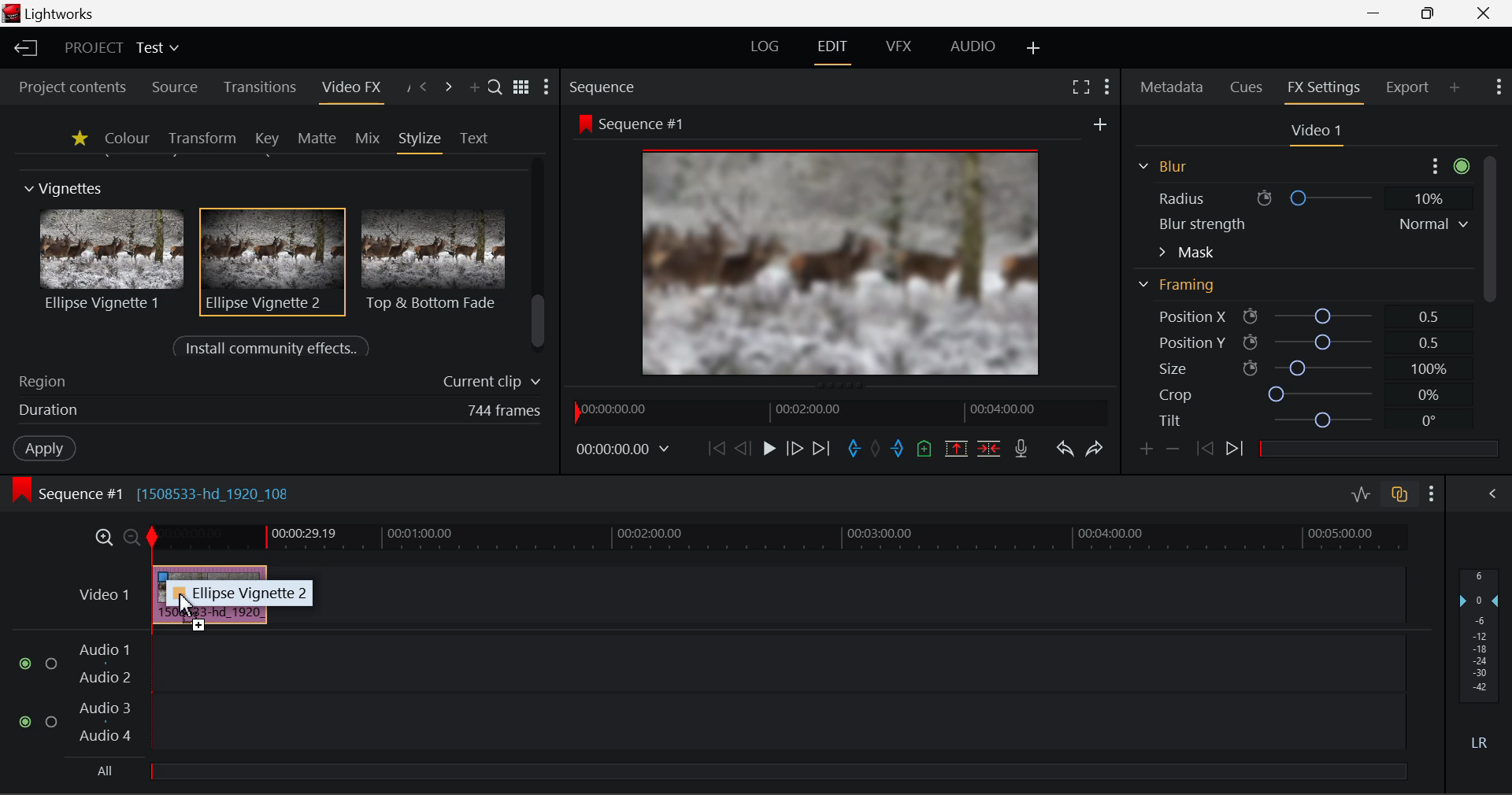 This screenshot has height=795, width=1512. Describe the element at coordinates (1080, 87) in the screenshot. I see `Full Screen` at that location.